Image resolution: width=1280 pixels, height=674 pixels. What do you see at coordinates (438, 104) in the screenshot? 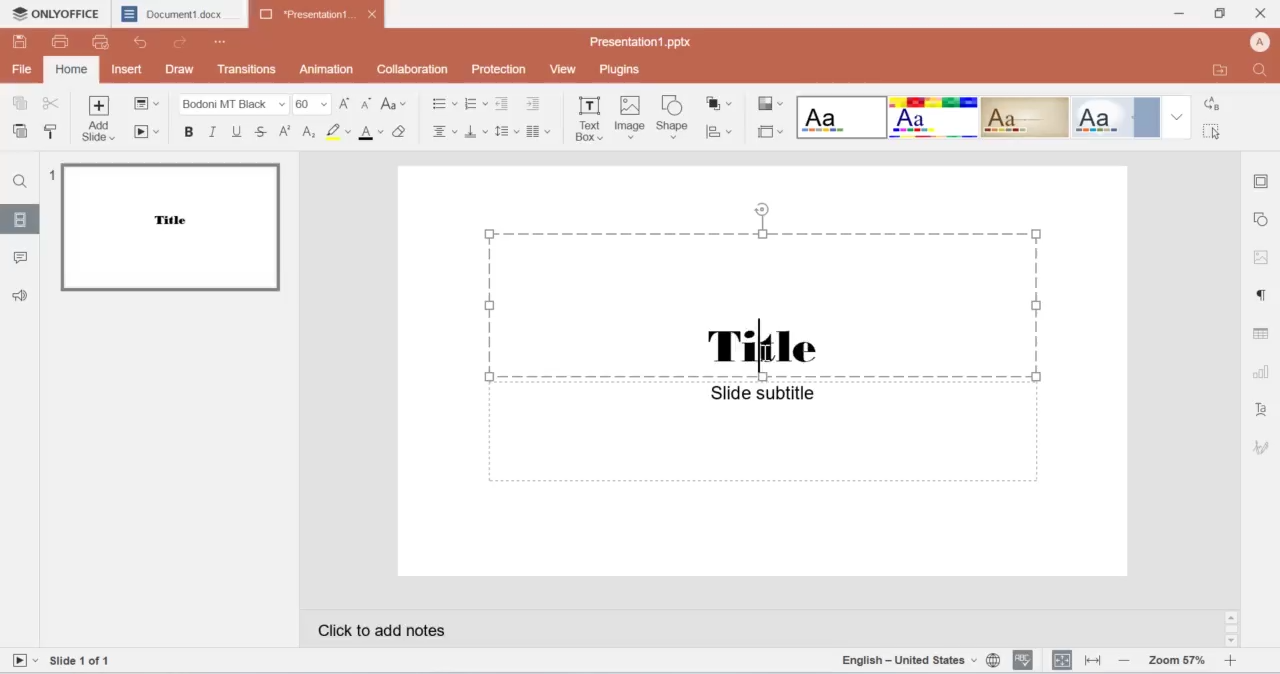
I see `bullet points` at bounding box center [438, 104].